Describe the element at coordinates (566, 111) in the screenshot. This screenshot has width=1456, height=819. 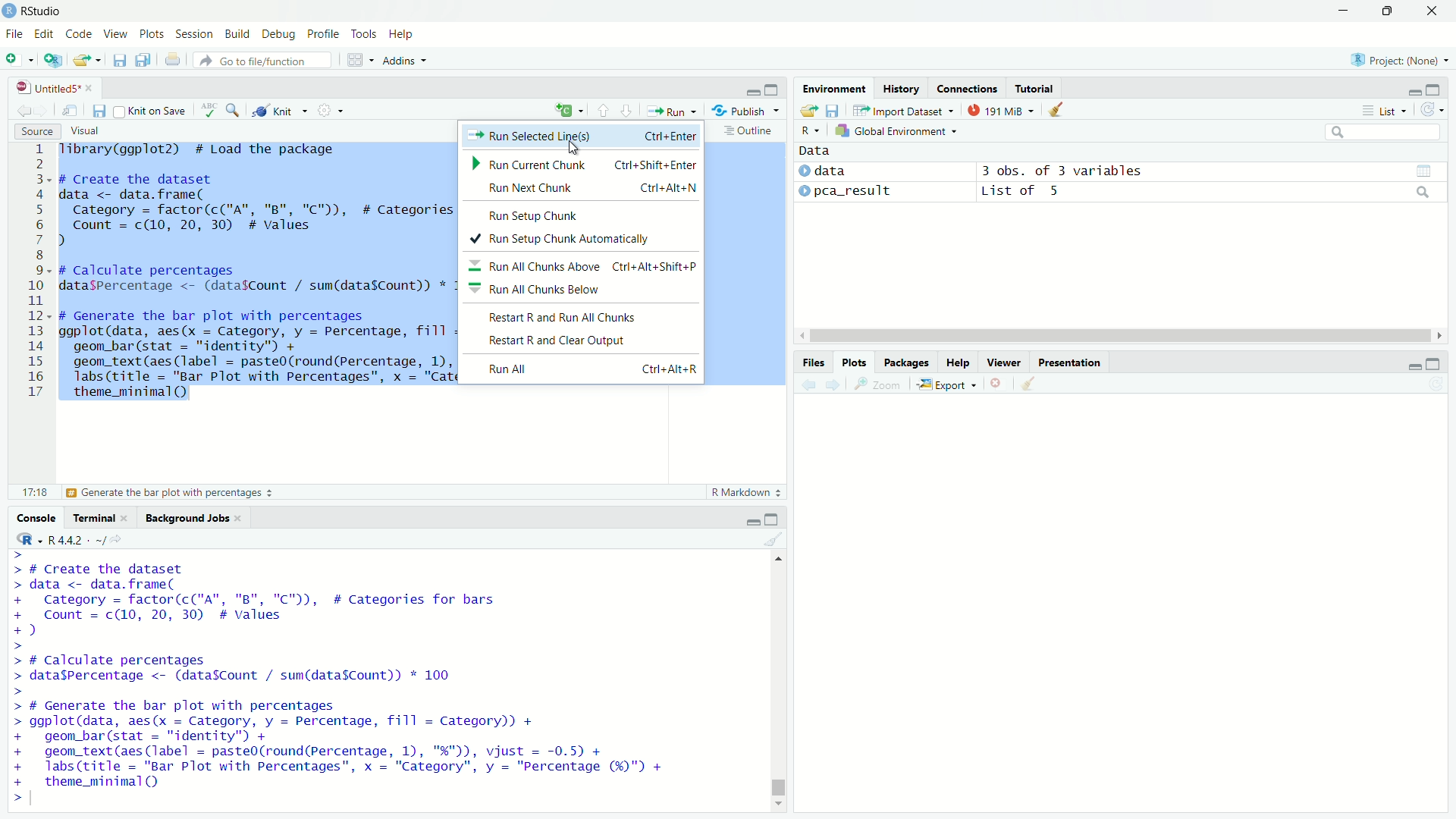
I see `language select` at that location.